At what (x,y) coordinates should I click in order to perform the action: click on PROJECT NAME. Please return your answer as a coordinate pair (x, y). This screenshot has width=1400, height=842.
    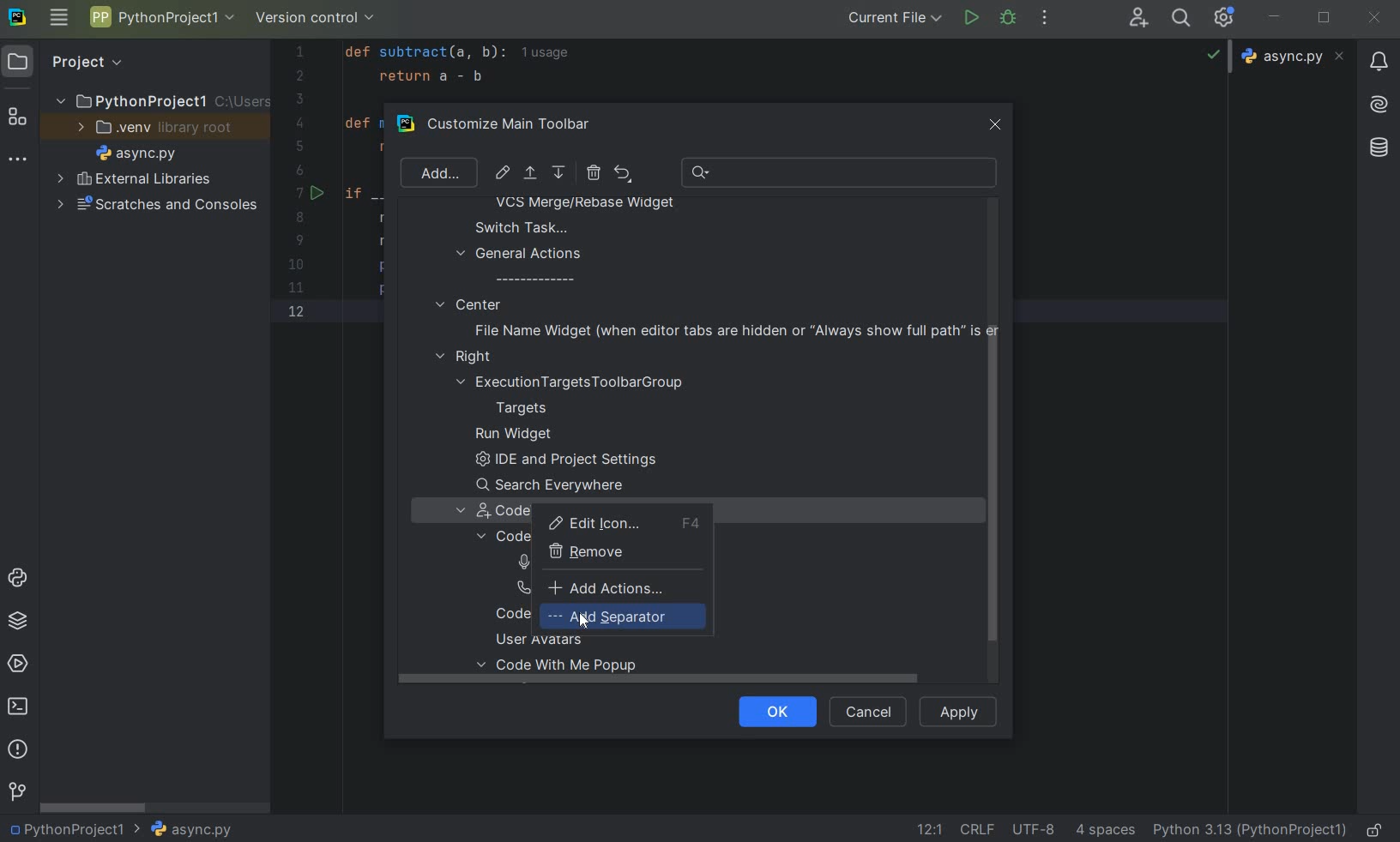
    Looking at the image, I should click on (161, 20).